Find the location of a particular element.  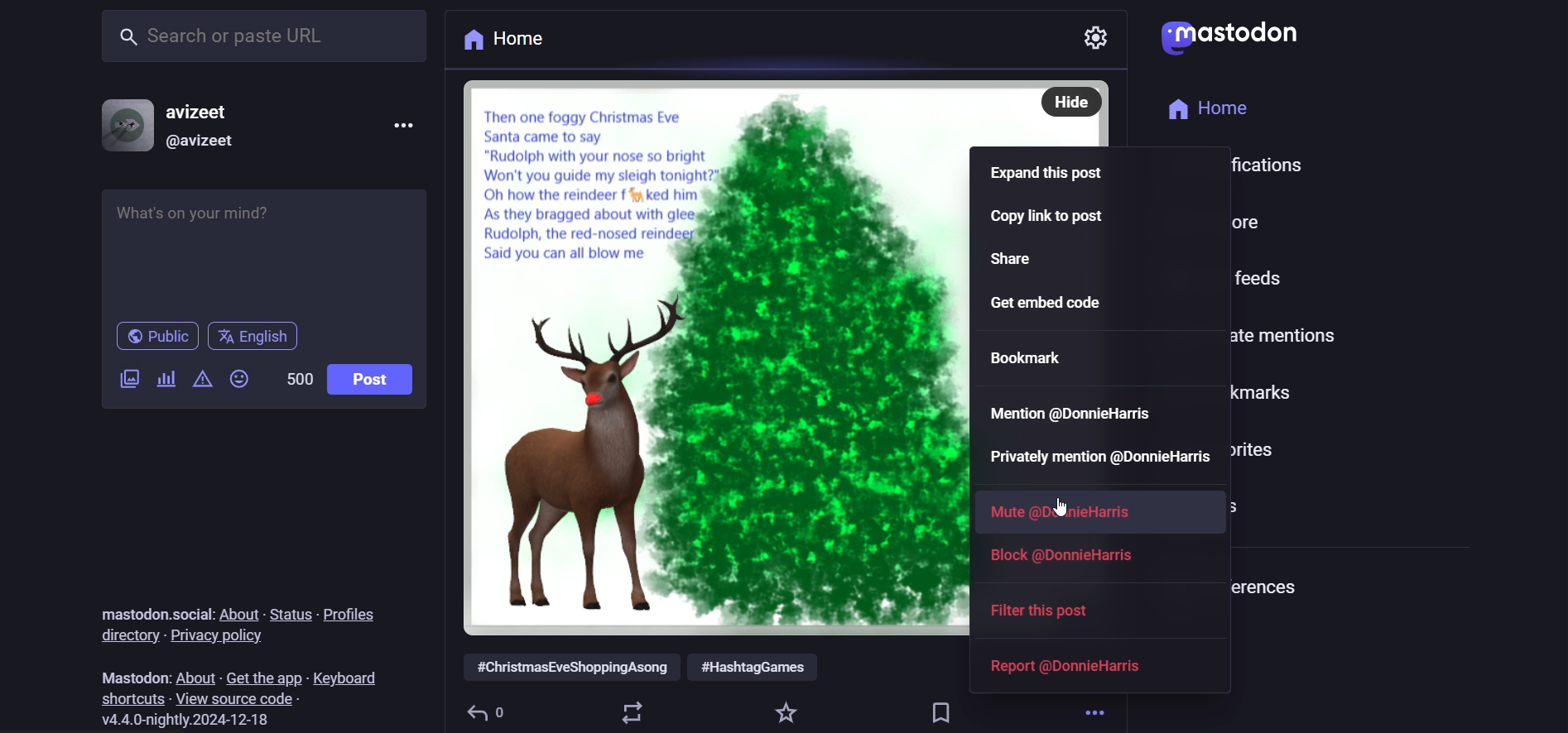

hashtags is located at coordinates (641, 668).